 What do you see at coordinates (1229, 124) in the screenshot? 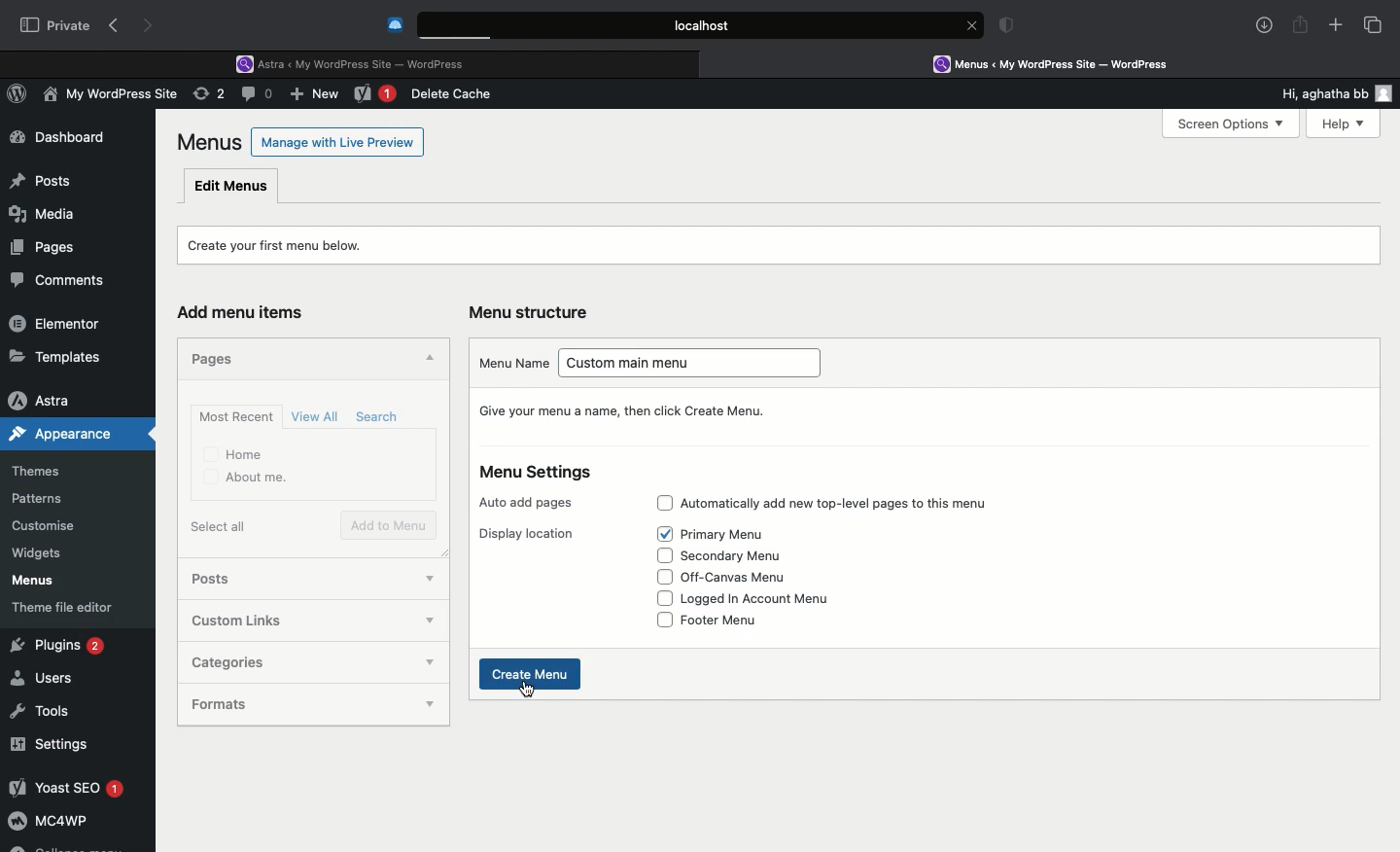
I see `Screen Options` at bounding box center [1229, 124].